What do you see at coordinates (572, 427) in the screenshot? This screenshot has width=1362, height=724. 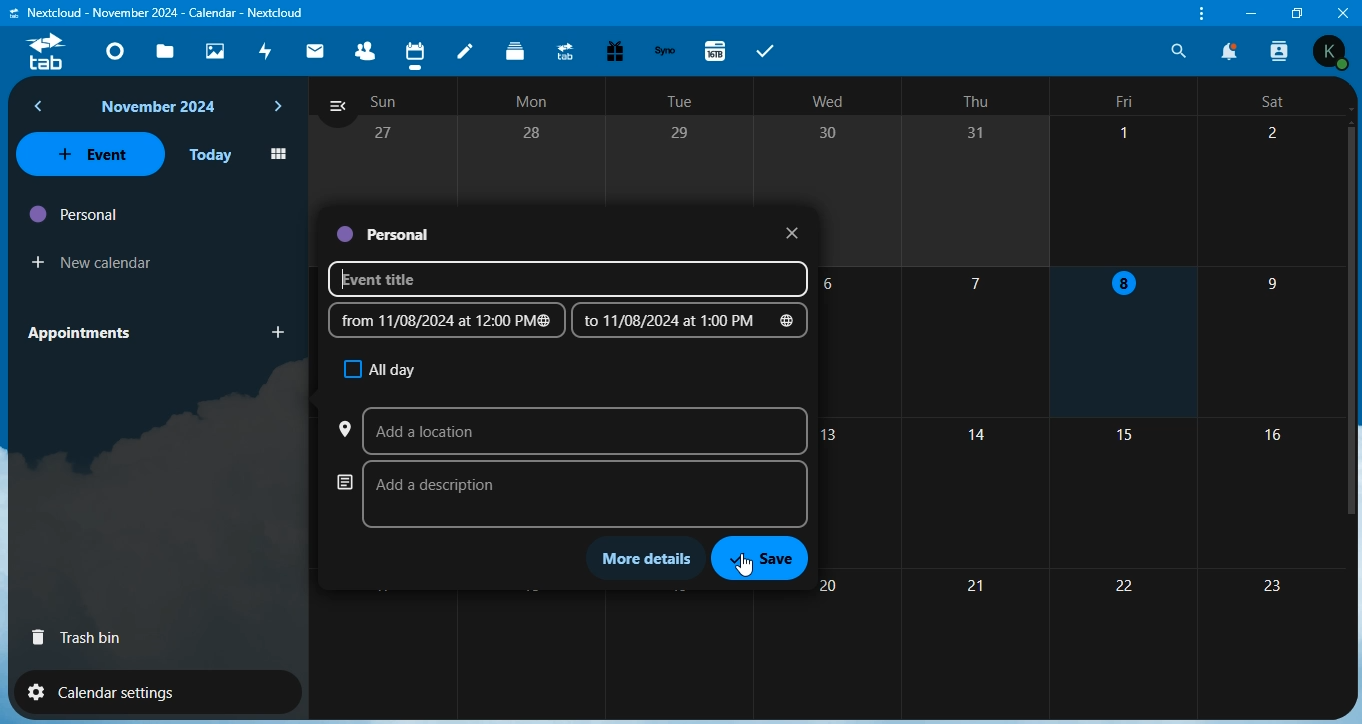 I see `add a location` at bounding box center [572, 427].